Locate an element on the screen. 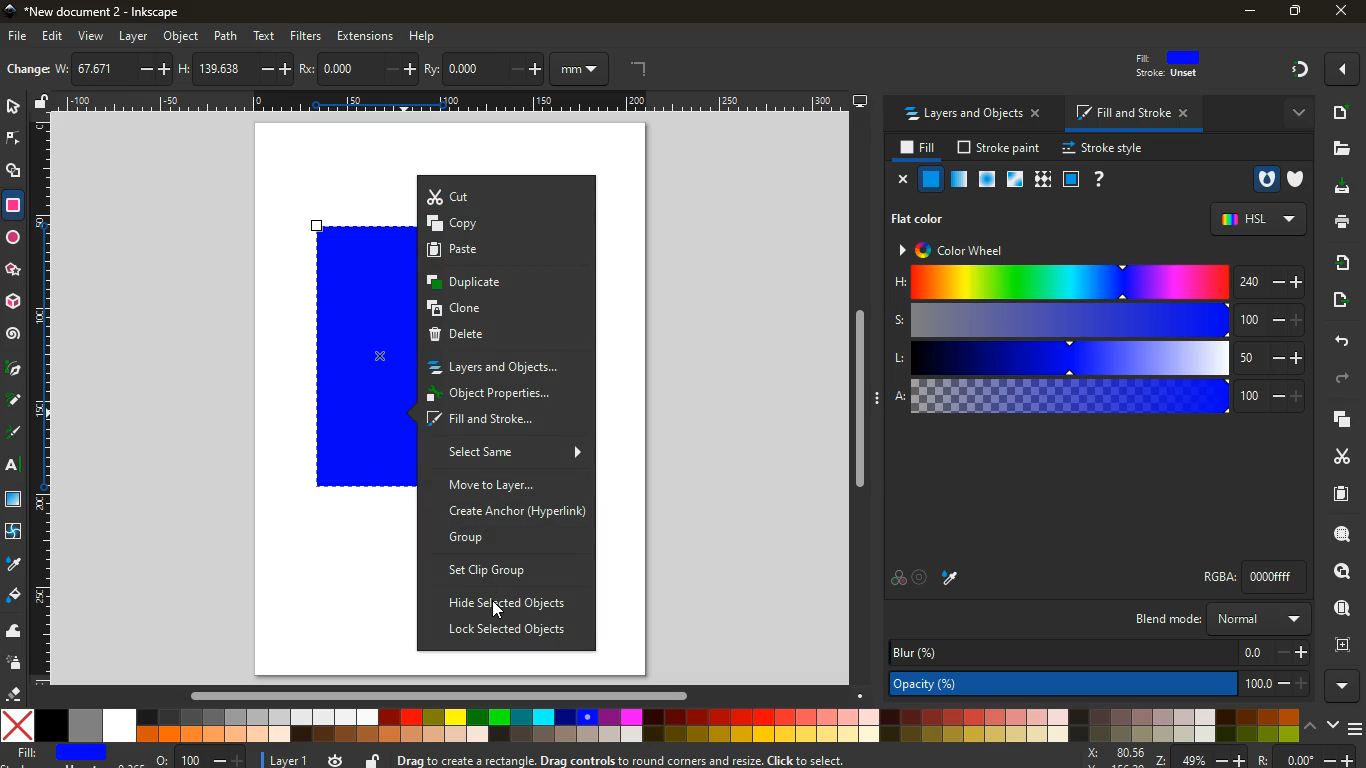 This screenshot has width=1366, height=768. drop is located at coordinates (952, 578).